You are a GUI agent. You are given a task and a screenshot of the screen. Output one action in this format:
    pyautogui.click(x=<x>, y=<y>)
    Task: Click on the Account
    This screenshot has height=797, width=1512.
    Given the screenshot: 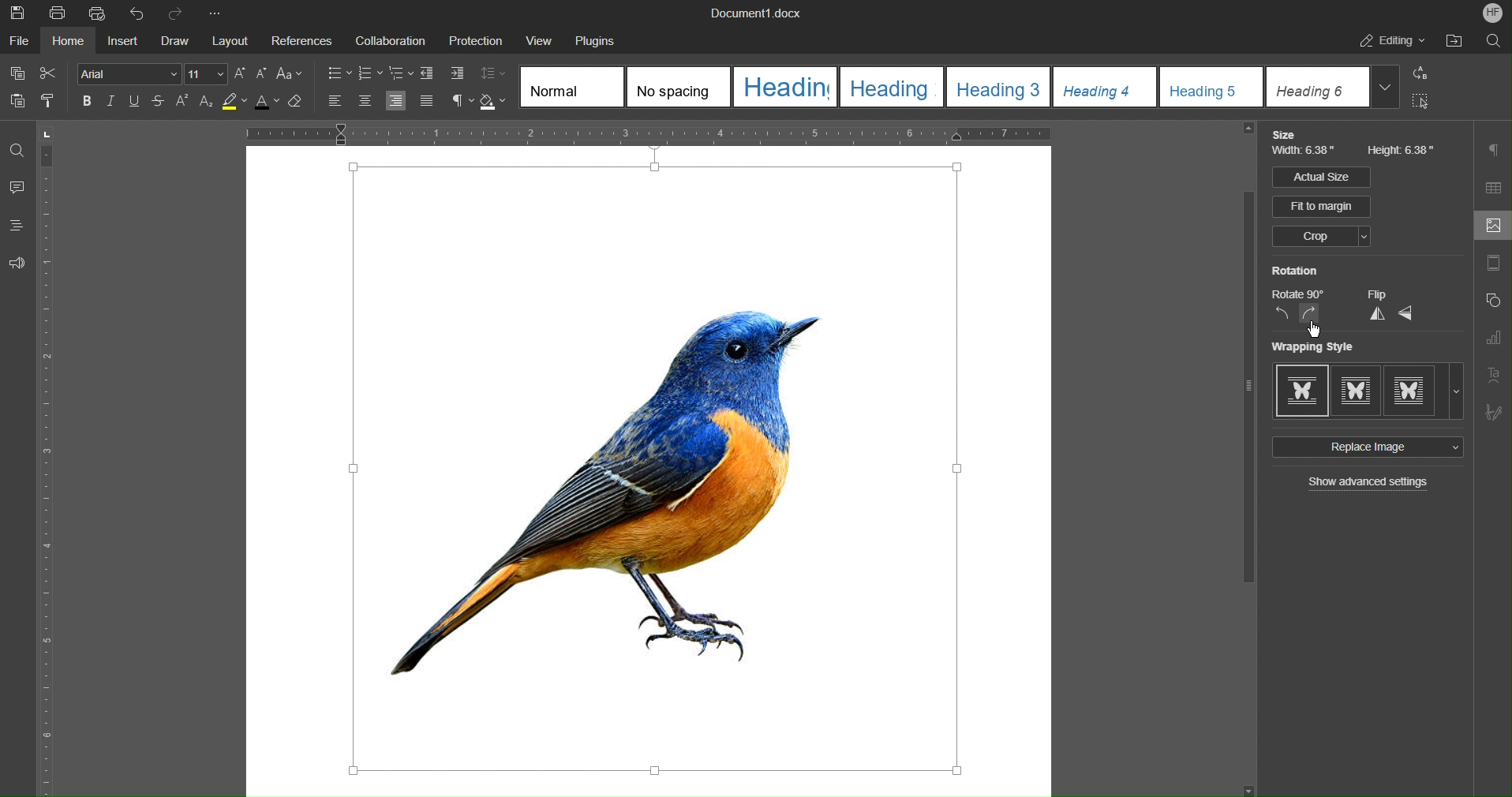 What is the action you would take?
    pyautogui.click(x=1494, y=12)
    